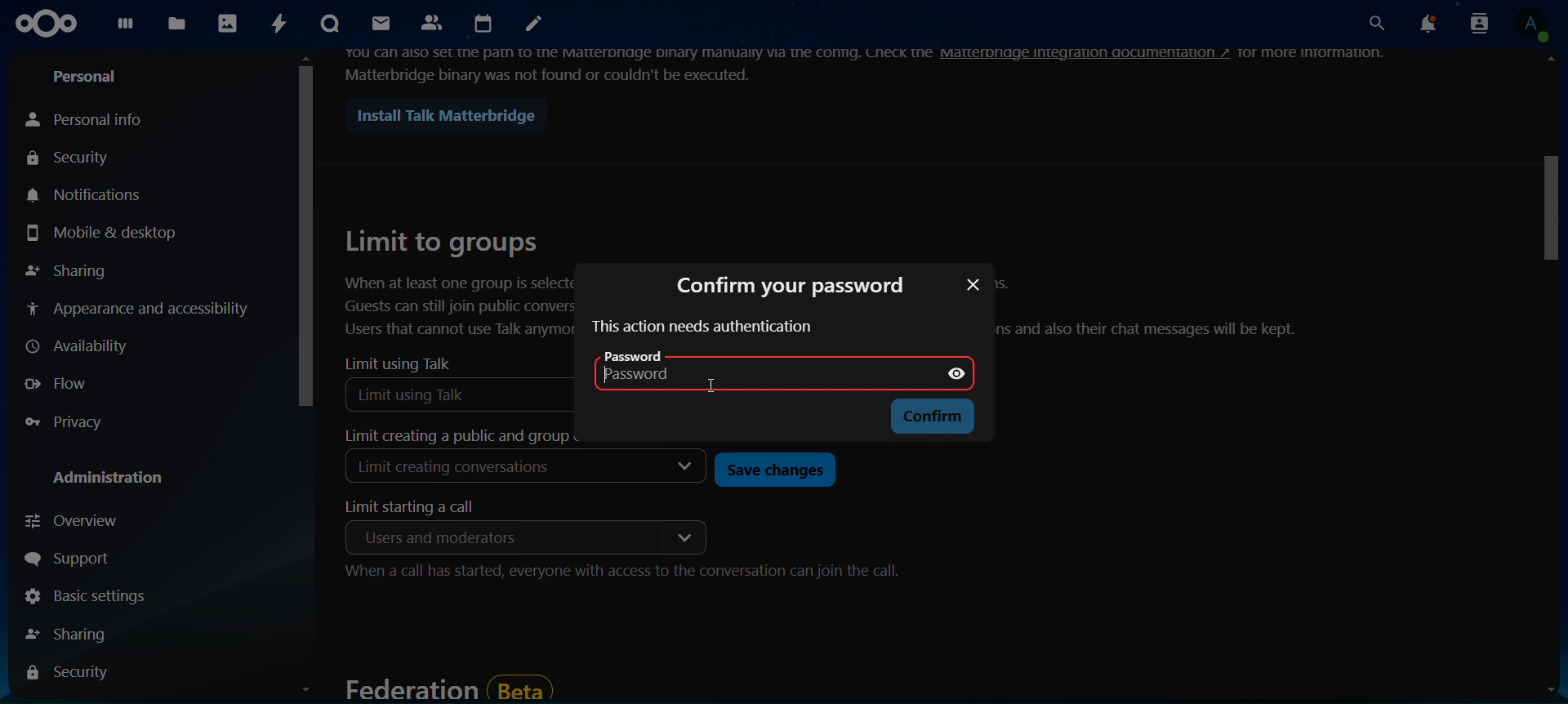 The height and width of the screenshot is (704, 1568). I want to click on sharing, so click(66, 271).